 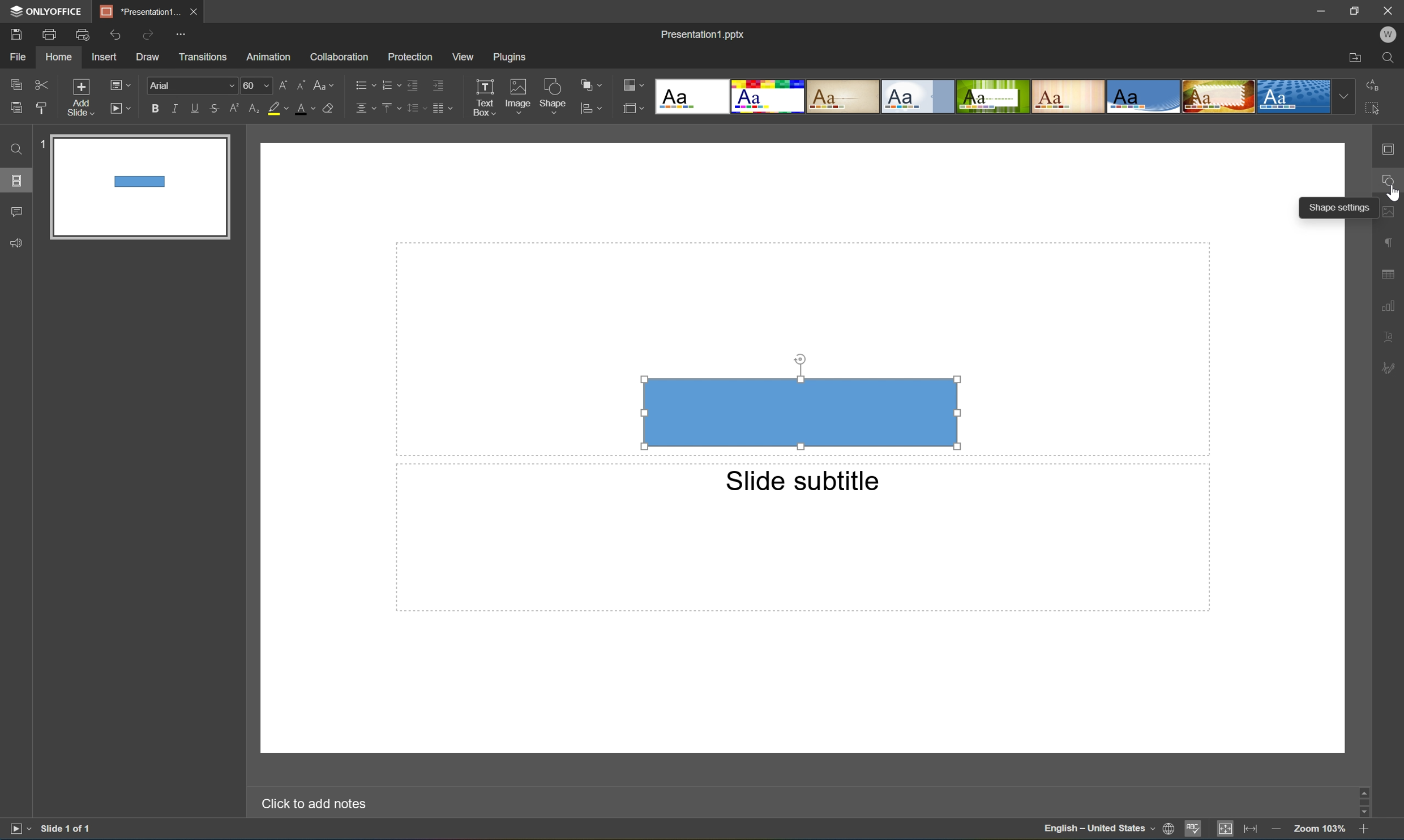 I want to click on icon, so click(x=585, y=107).